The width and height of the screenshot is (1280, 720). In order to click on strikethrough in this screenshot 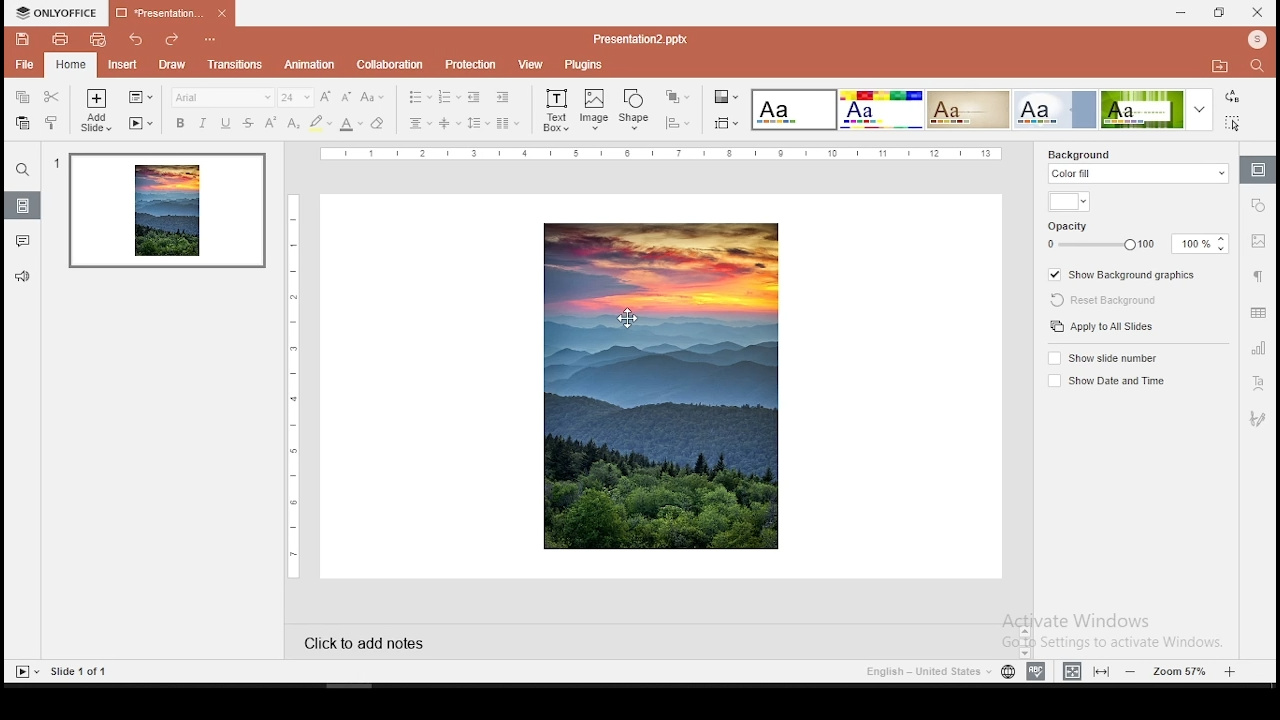, I will do `click(249, 121)`.